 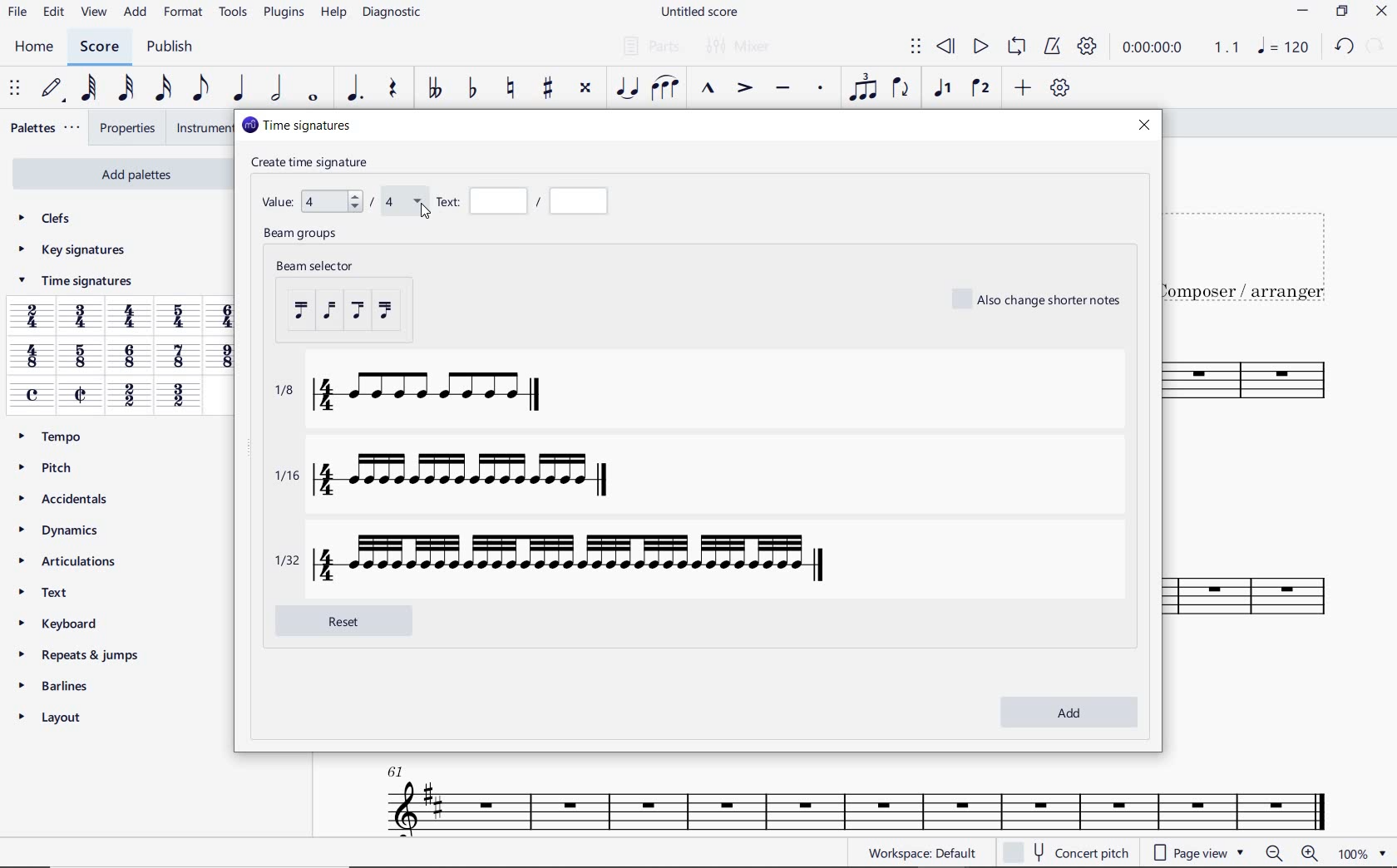 What do you see at coordinates (945, 46) in the screenshot?
I see `REWIND` at bounding box center [945, 46].